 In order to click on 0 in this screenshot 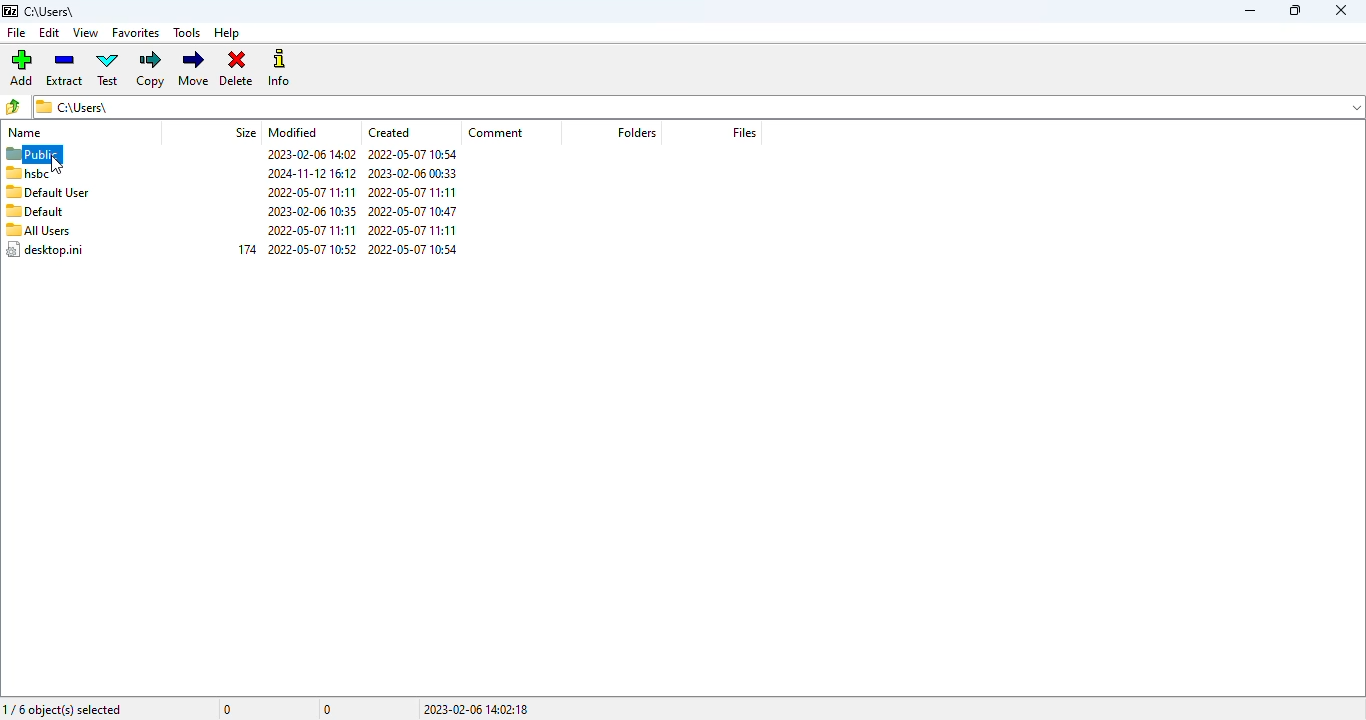, I will do `click(331, 707)`.